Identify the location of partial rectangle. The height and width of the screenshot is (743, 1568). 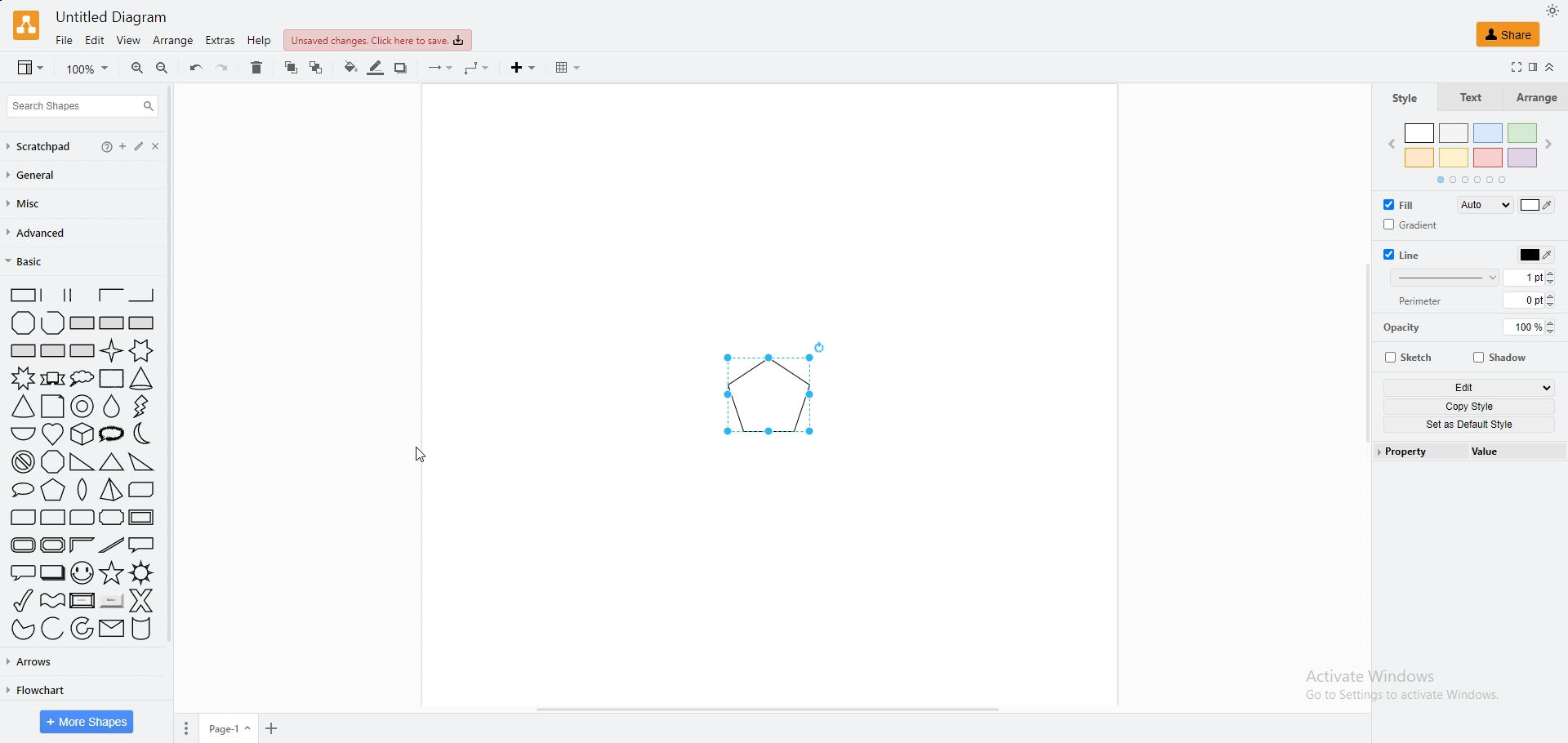
(19, 294).